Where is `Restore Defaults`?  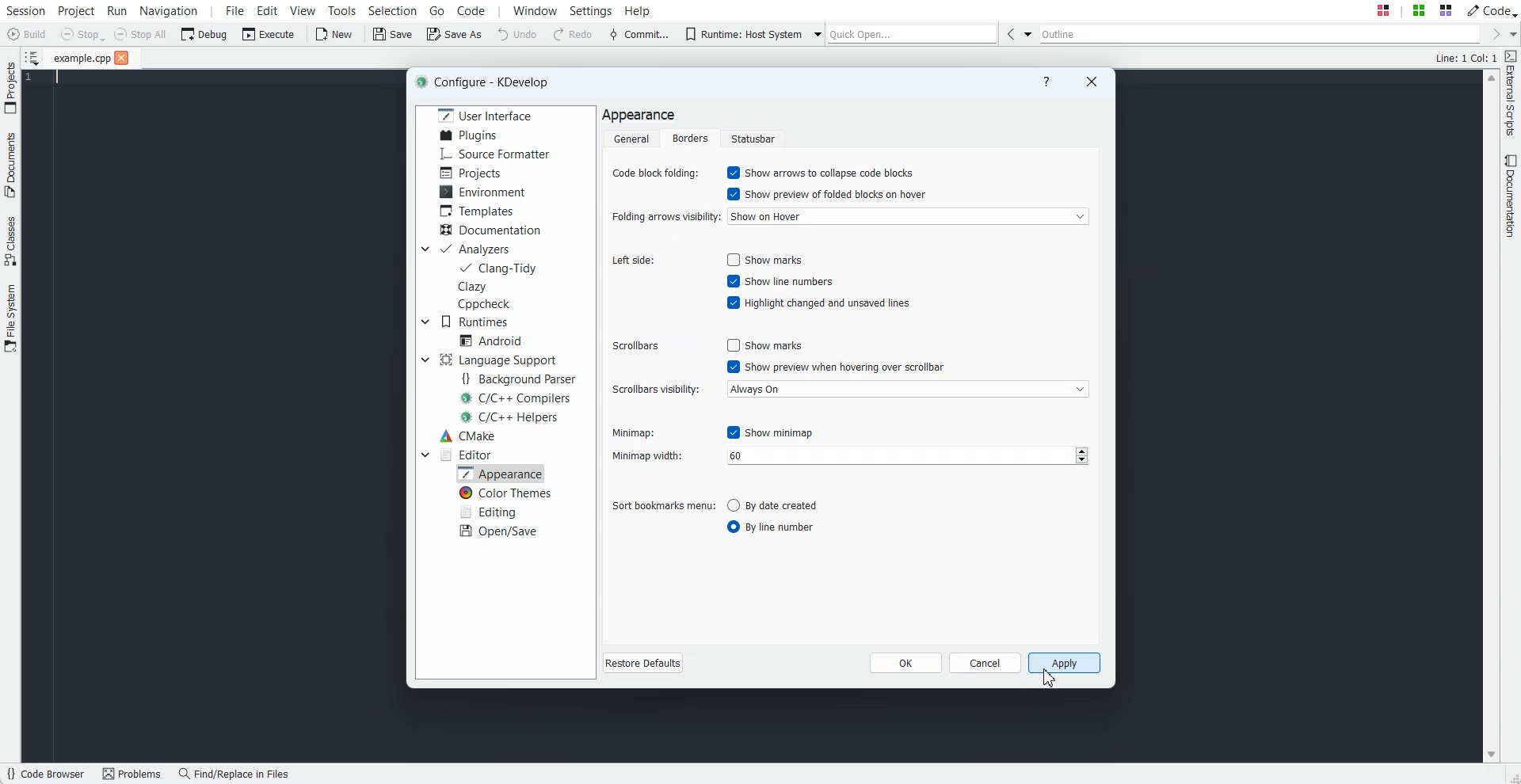
Restore Defaults is located at coordinates (644, 663).